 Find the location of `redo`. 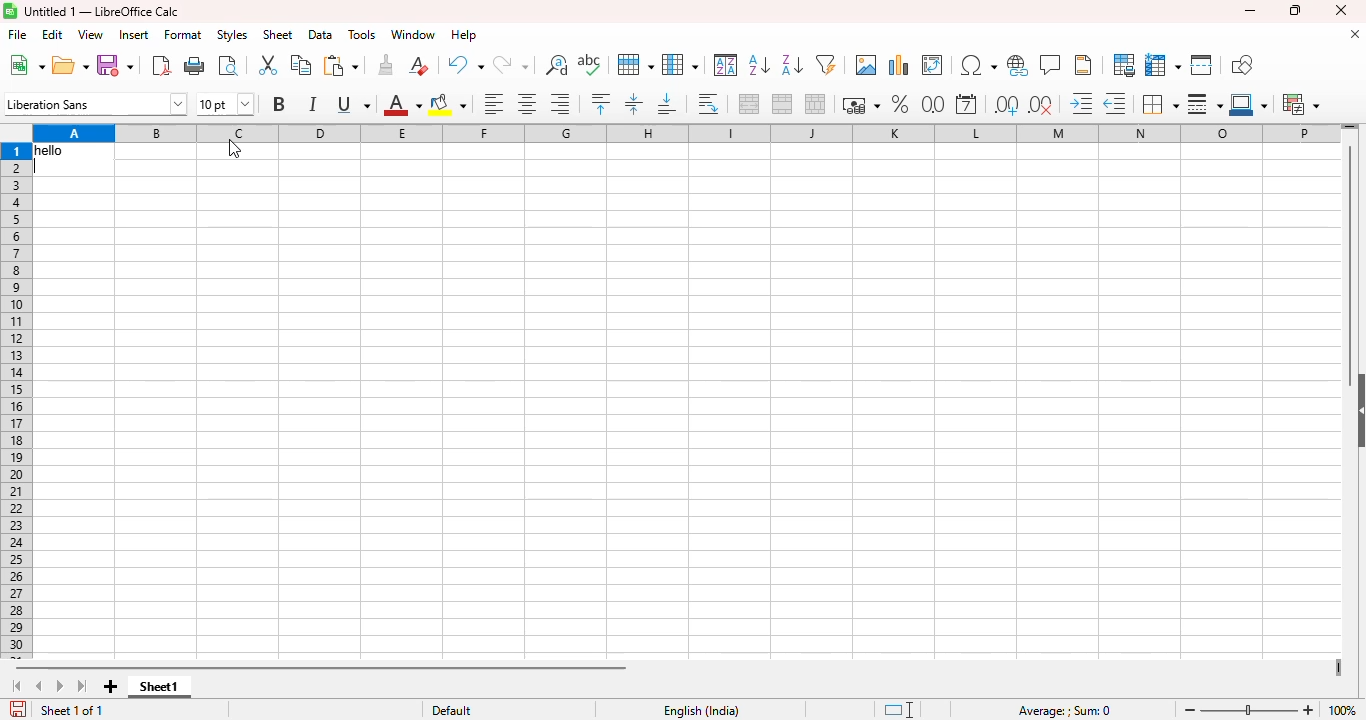

redo is located at coordinates (511, 66).